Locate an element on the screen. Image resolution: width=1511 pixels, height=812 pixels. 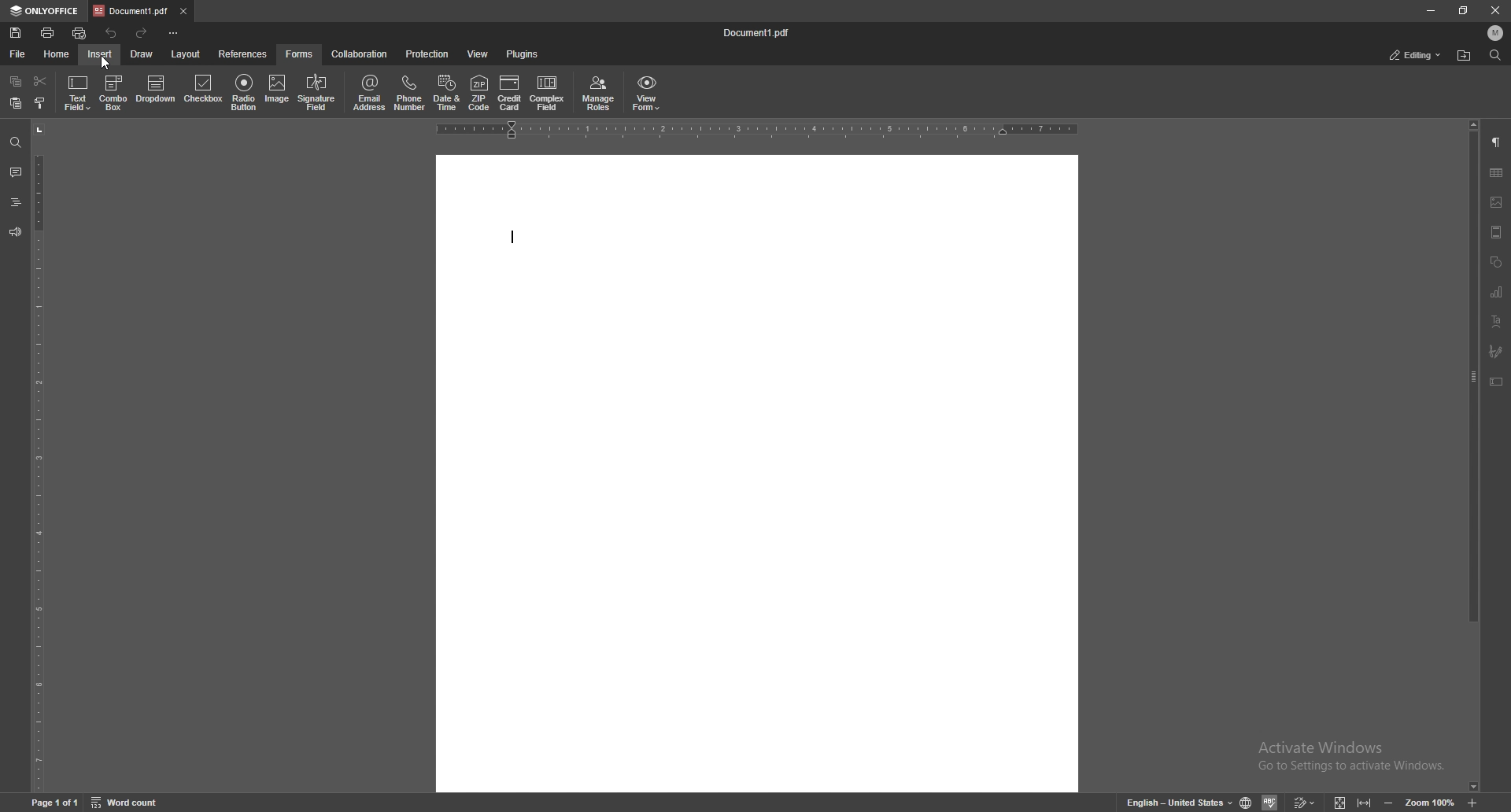
text art is located at coordinates (1496, 321).